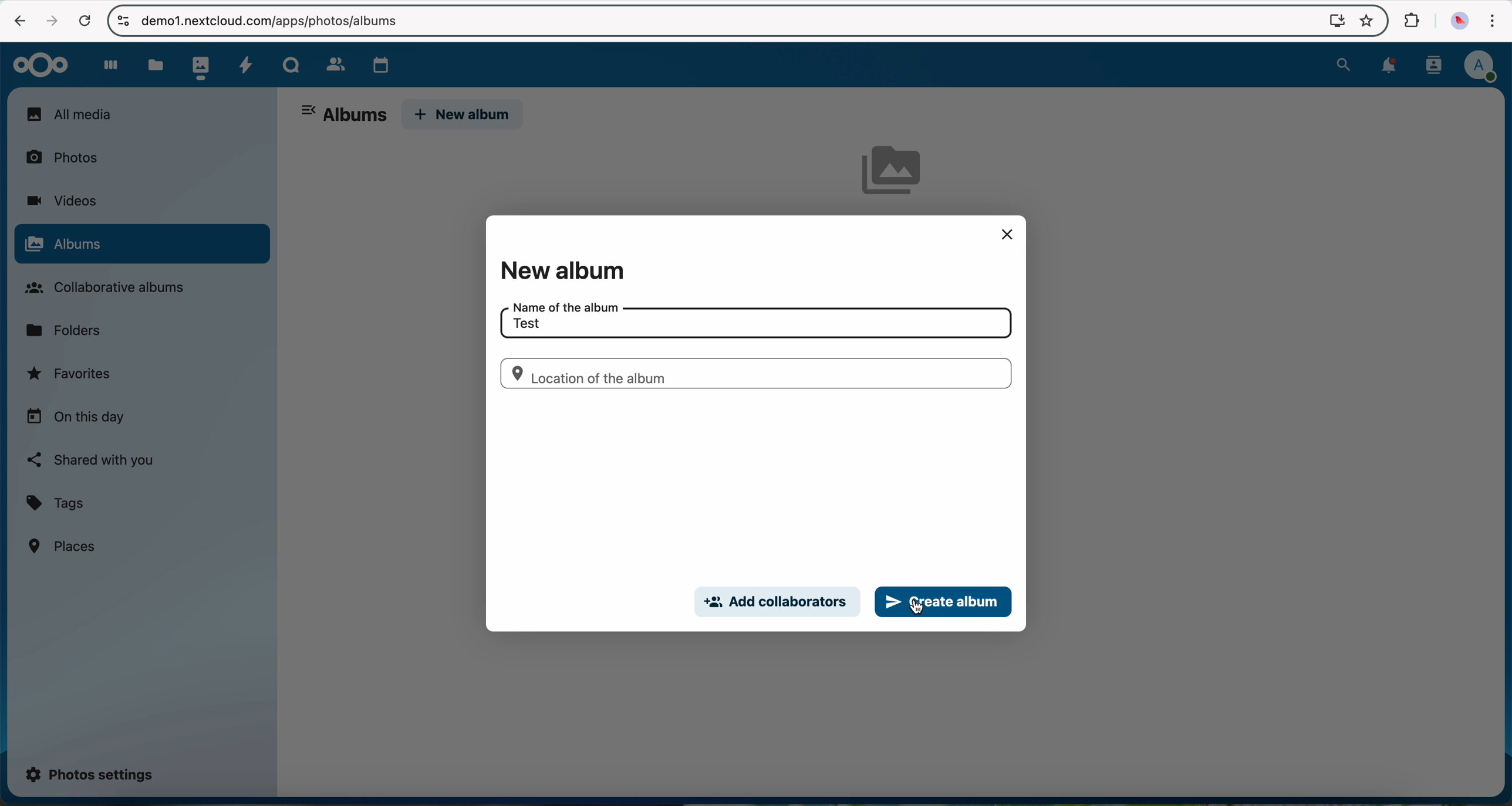 This screenshot has height=806, width=1512. What do you see at coordinates (64, 546) in the screenshot?
I see `places` at bounding box center [64, 546].